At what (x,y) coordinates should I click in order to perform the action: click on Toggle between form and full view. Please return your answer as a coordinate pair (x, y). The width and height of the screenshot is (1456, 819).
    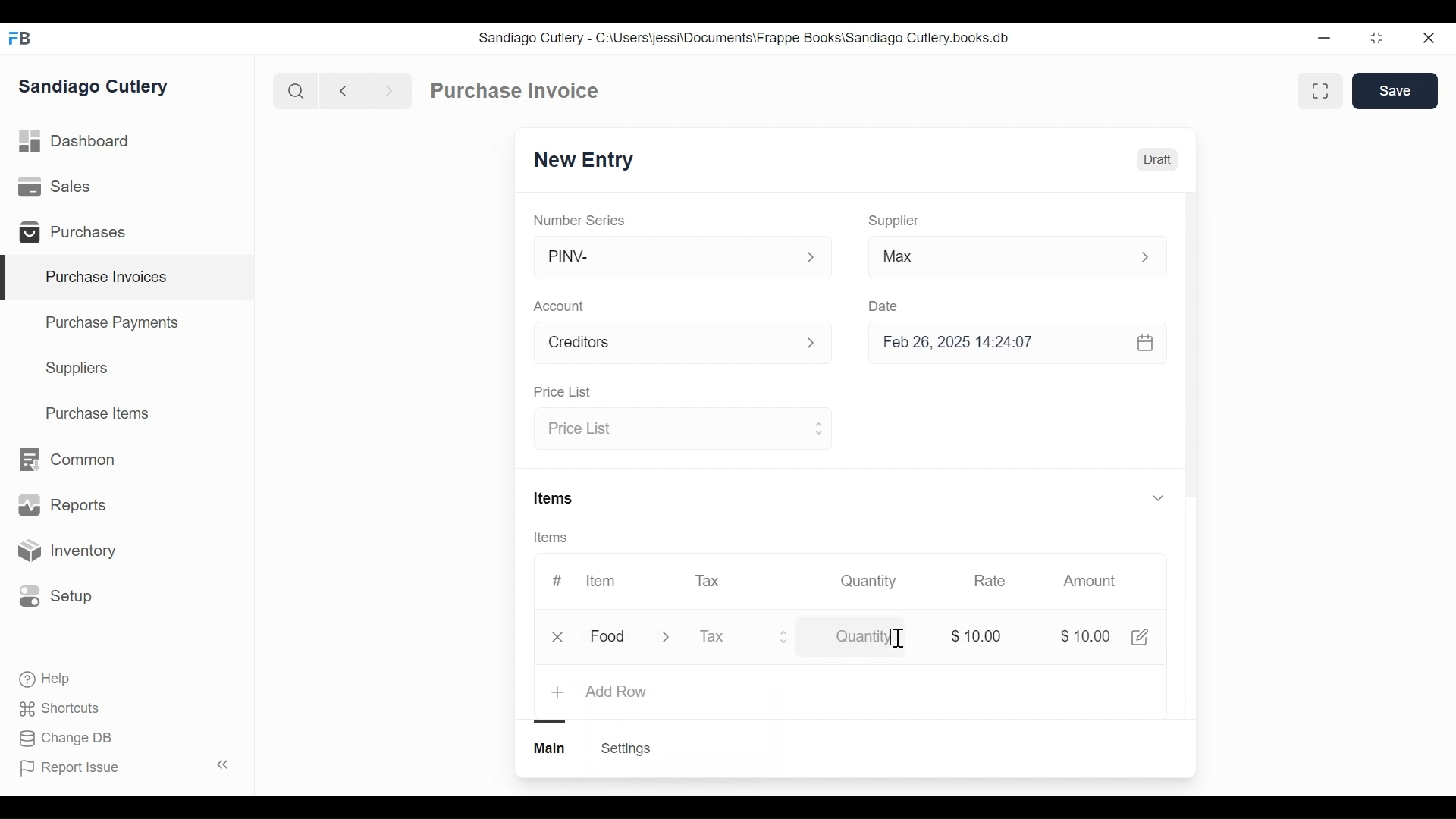
    Looking at the image, I should click on (1321, 91).